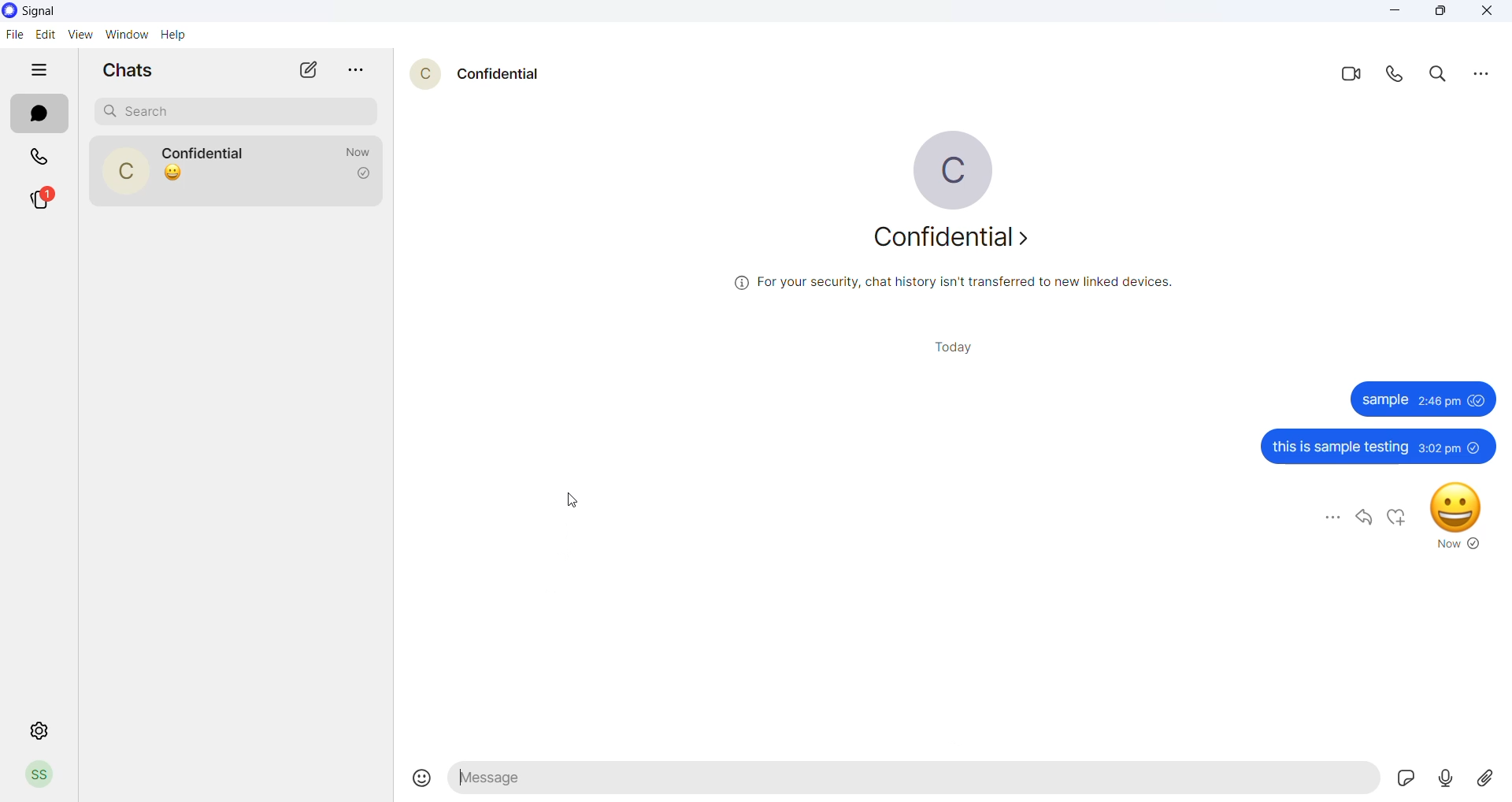  Describe the element at coordinates (1384, 399) in the screenshot. I see `sample` at that location.